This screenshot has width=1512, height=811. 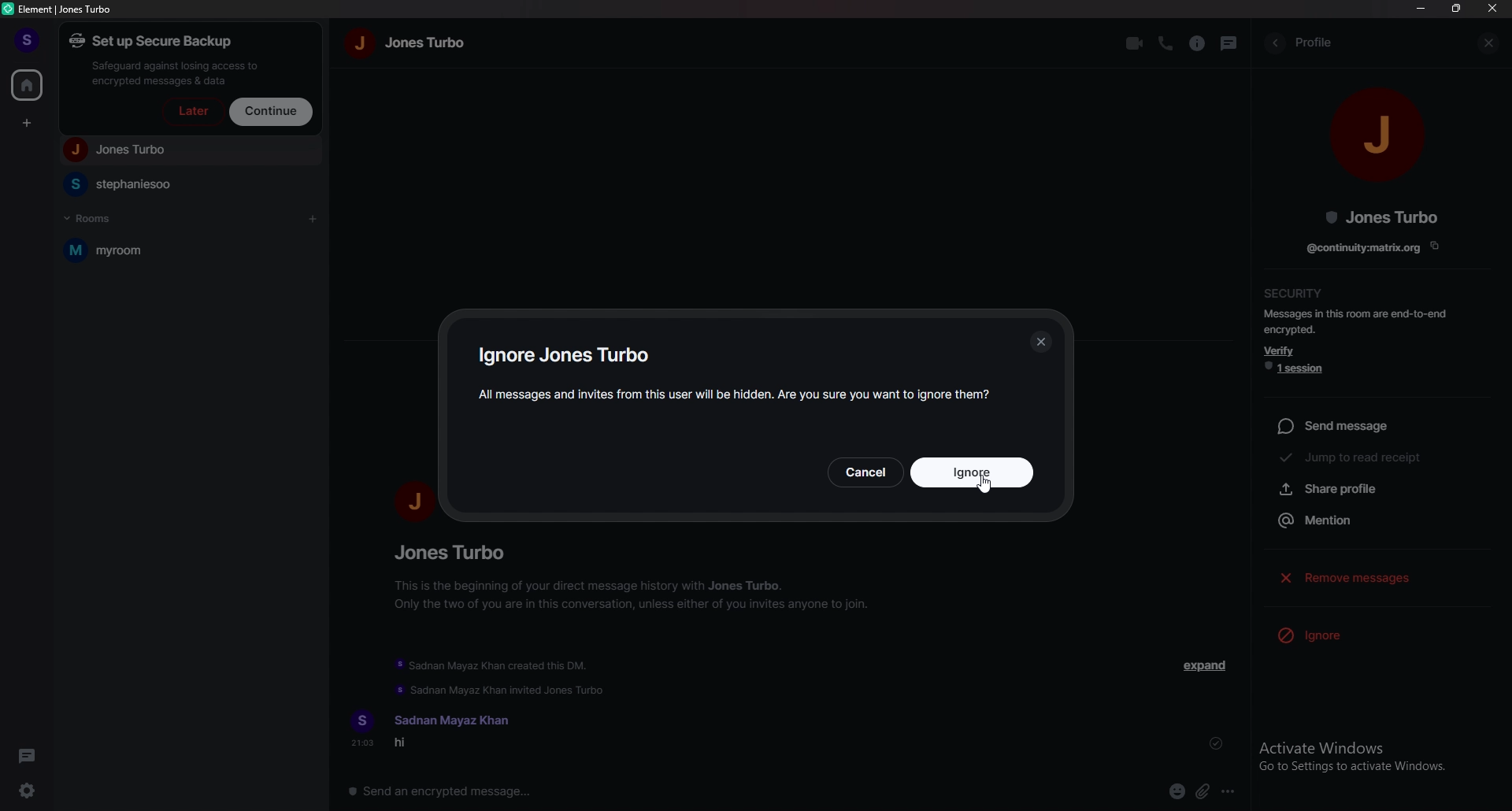 What do you see at coordinates (1198, 43) in the screenshot?
I see `info` at bounding box center [1198, 43].